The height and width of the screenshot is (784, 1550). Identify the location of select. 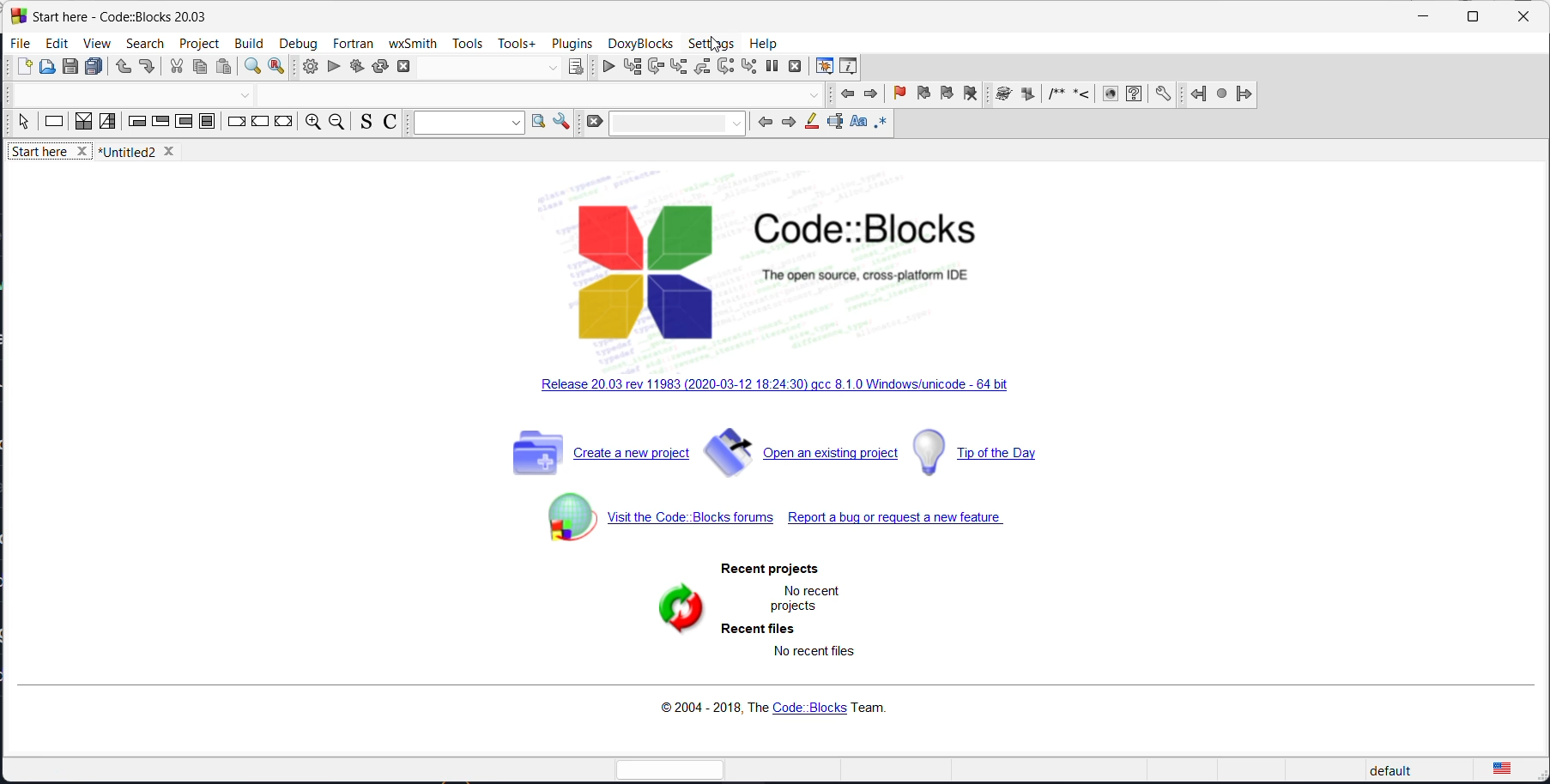
(23, 125).